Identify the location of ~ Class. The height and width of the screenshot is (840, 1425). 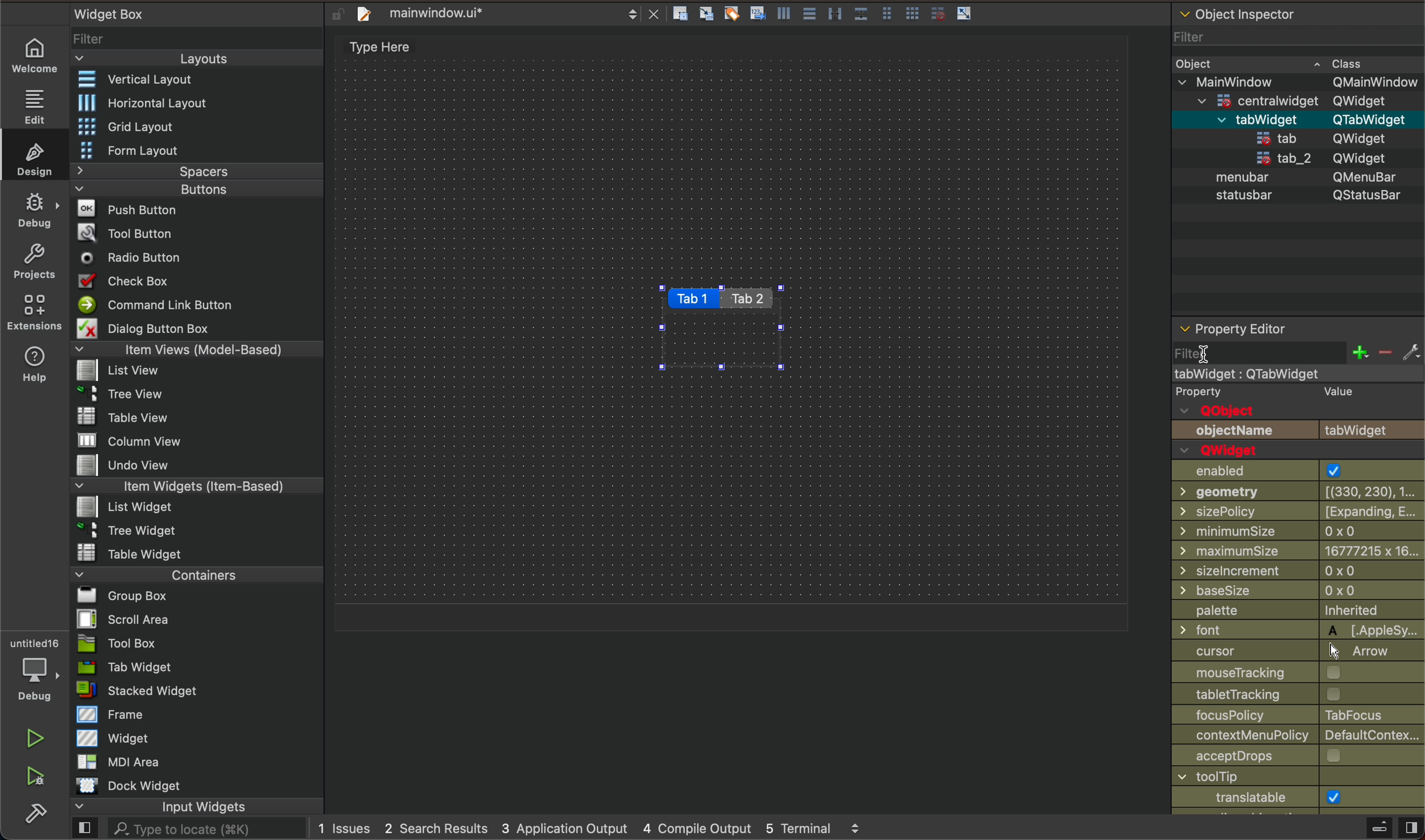
(1342, 60).